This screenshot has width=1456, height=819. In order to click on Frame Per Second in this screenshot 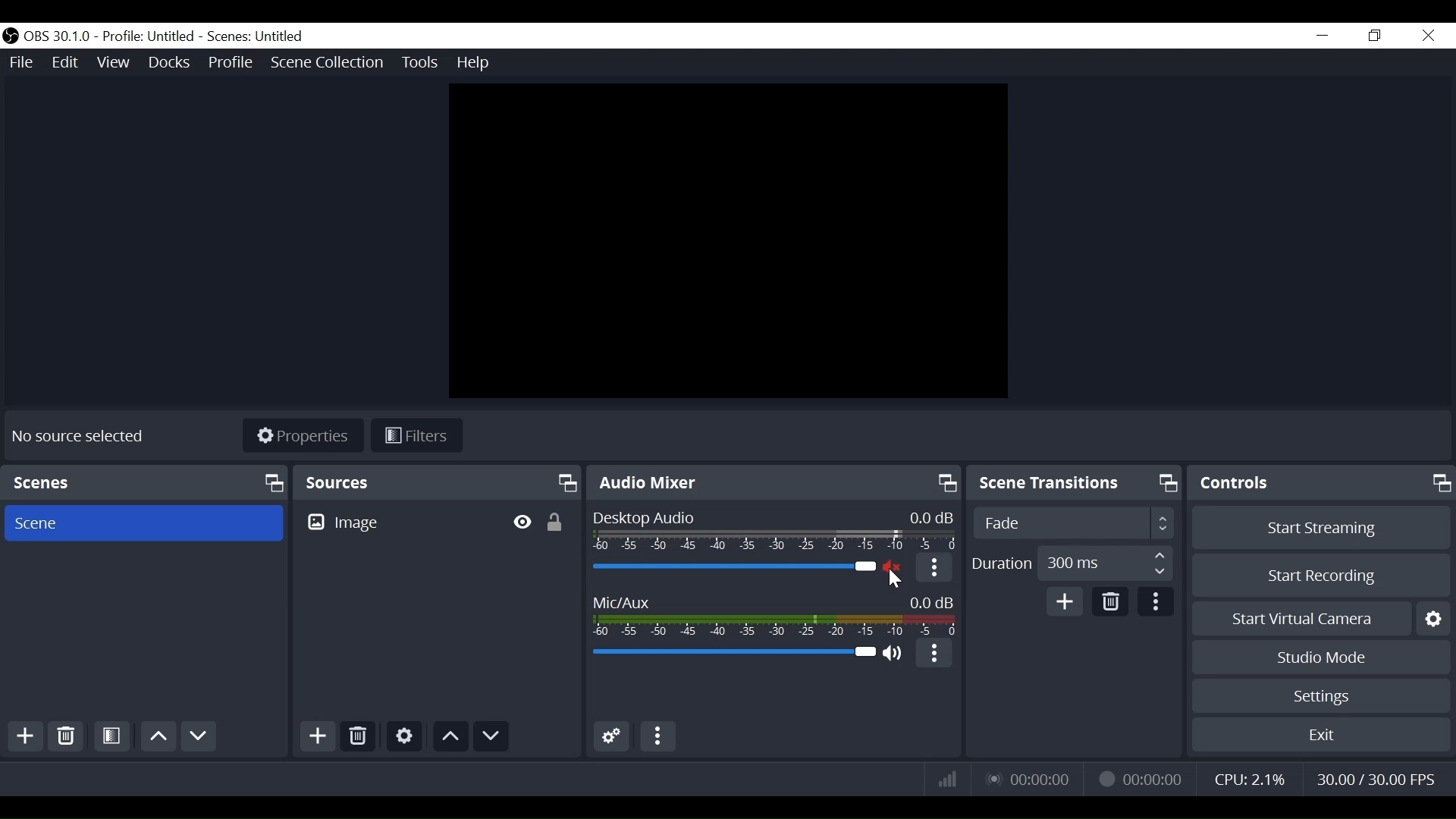, I will do `click(1379, 777)`.